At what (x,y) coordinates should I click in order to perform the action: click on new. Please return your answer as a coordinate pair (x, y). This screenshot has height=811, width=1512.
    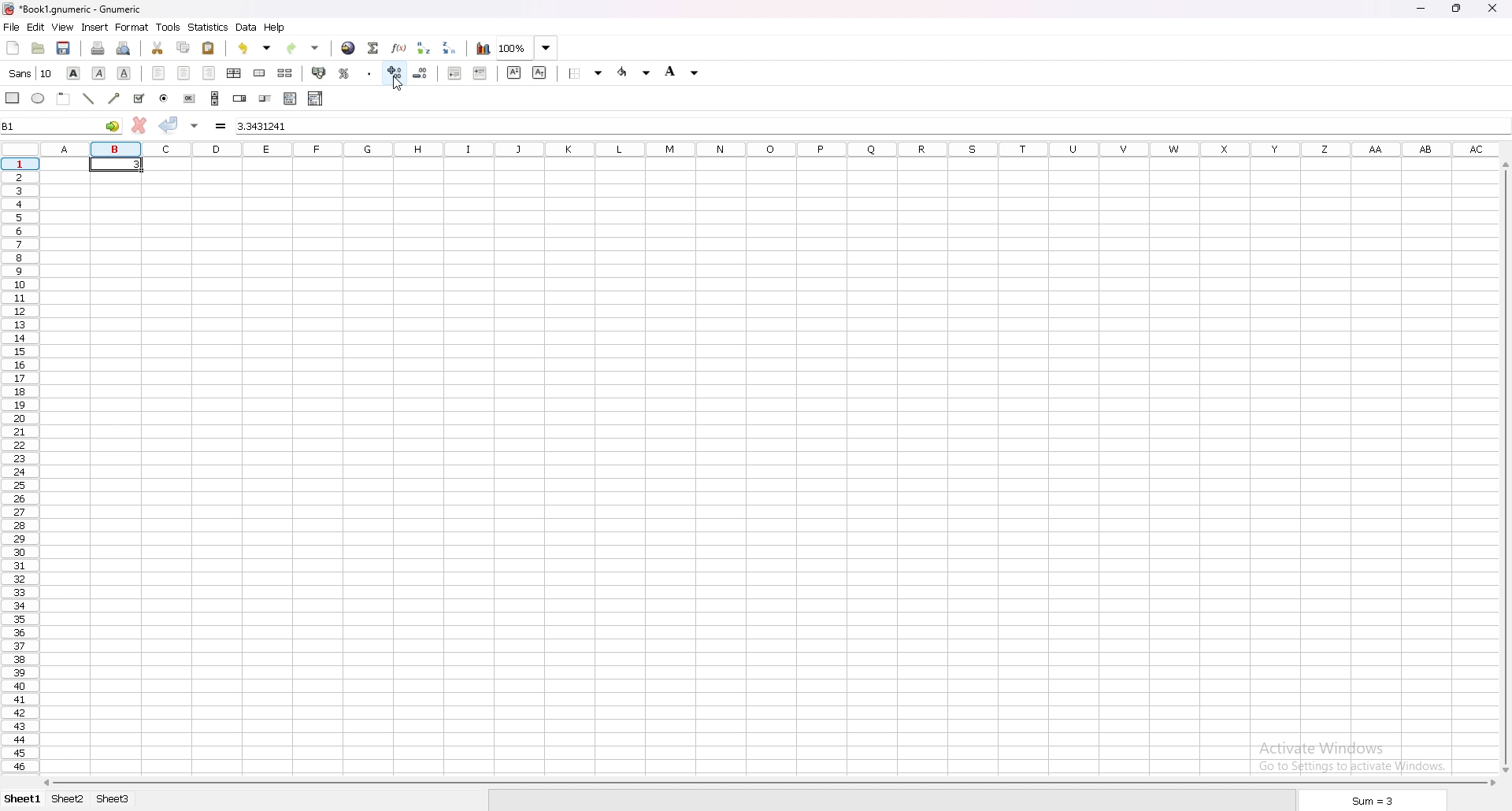
    Looking at the image, I should click on (13, 46).